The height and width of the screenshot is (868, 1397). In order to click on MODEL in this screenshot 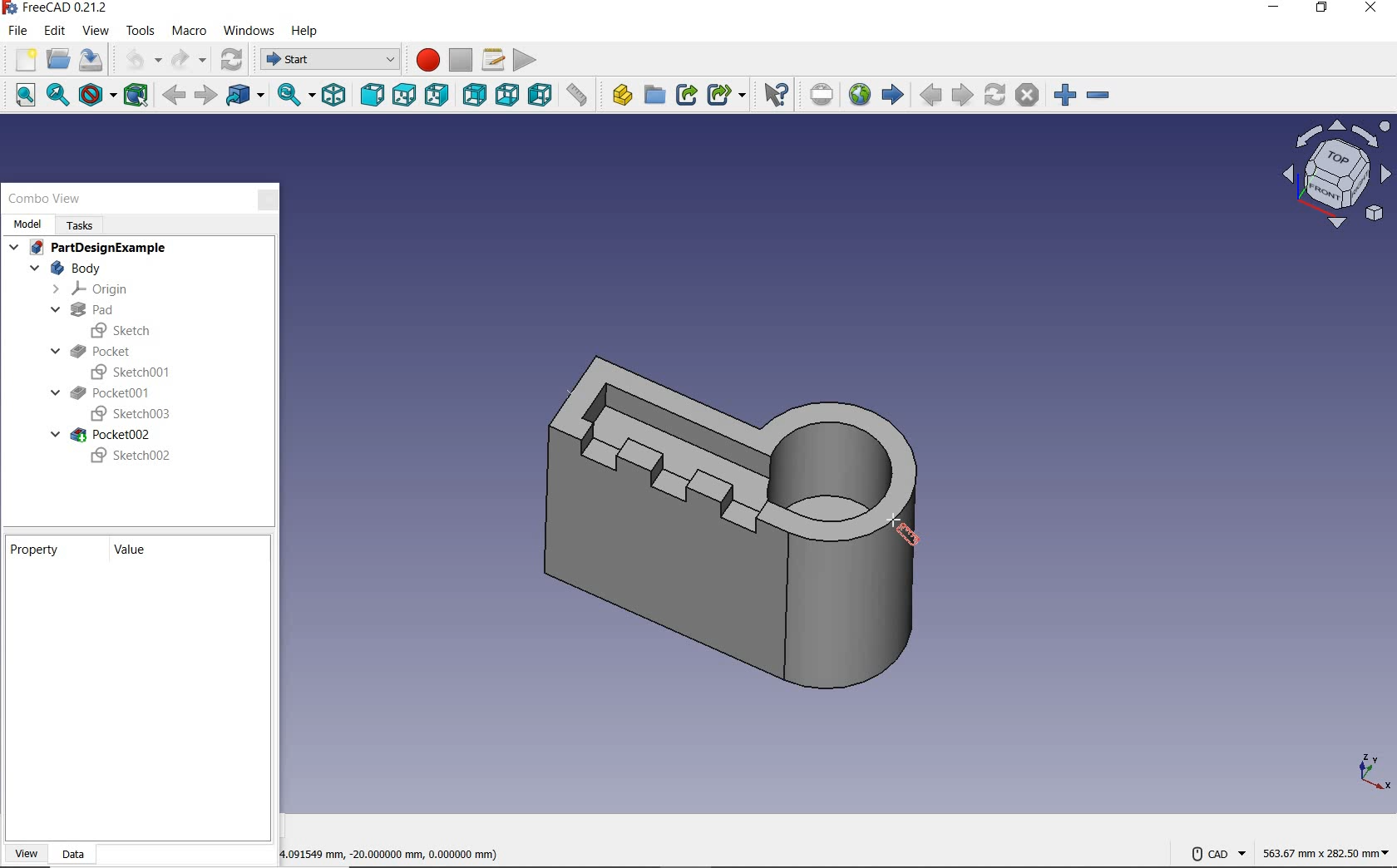, I will do `click(27, 224)`.